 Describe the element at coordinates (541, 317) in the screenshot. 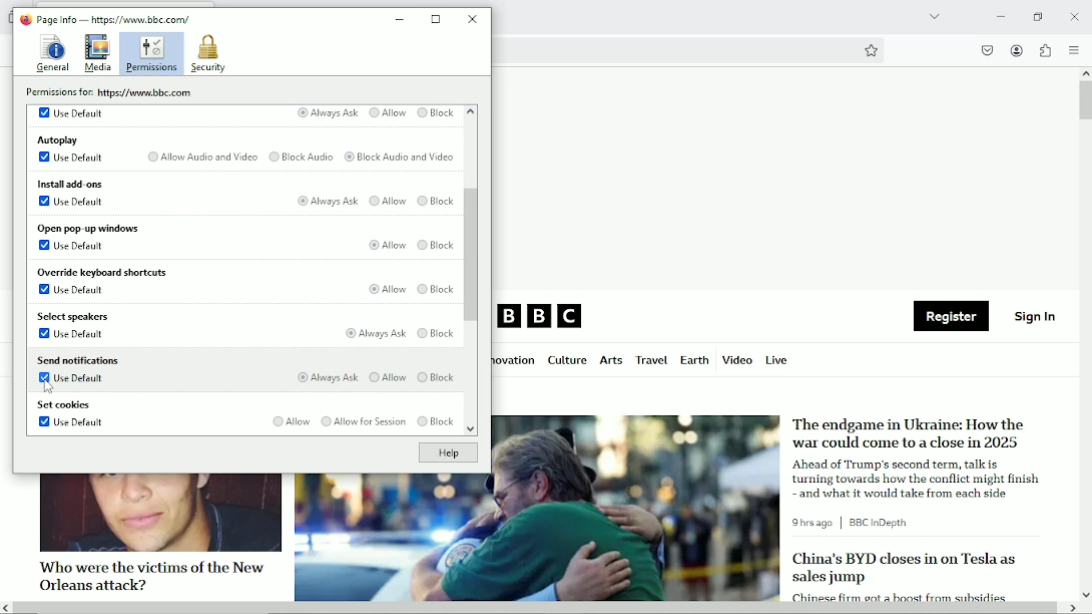

I see `BBC` at that location.